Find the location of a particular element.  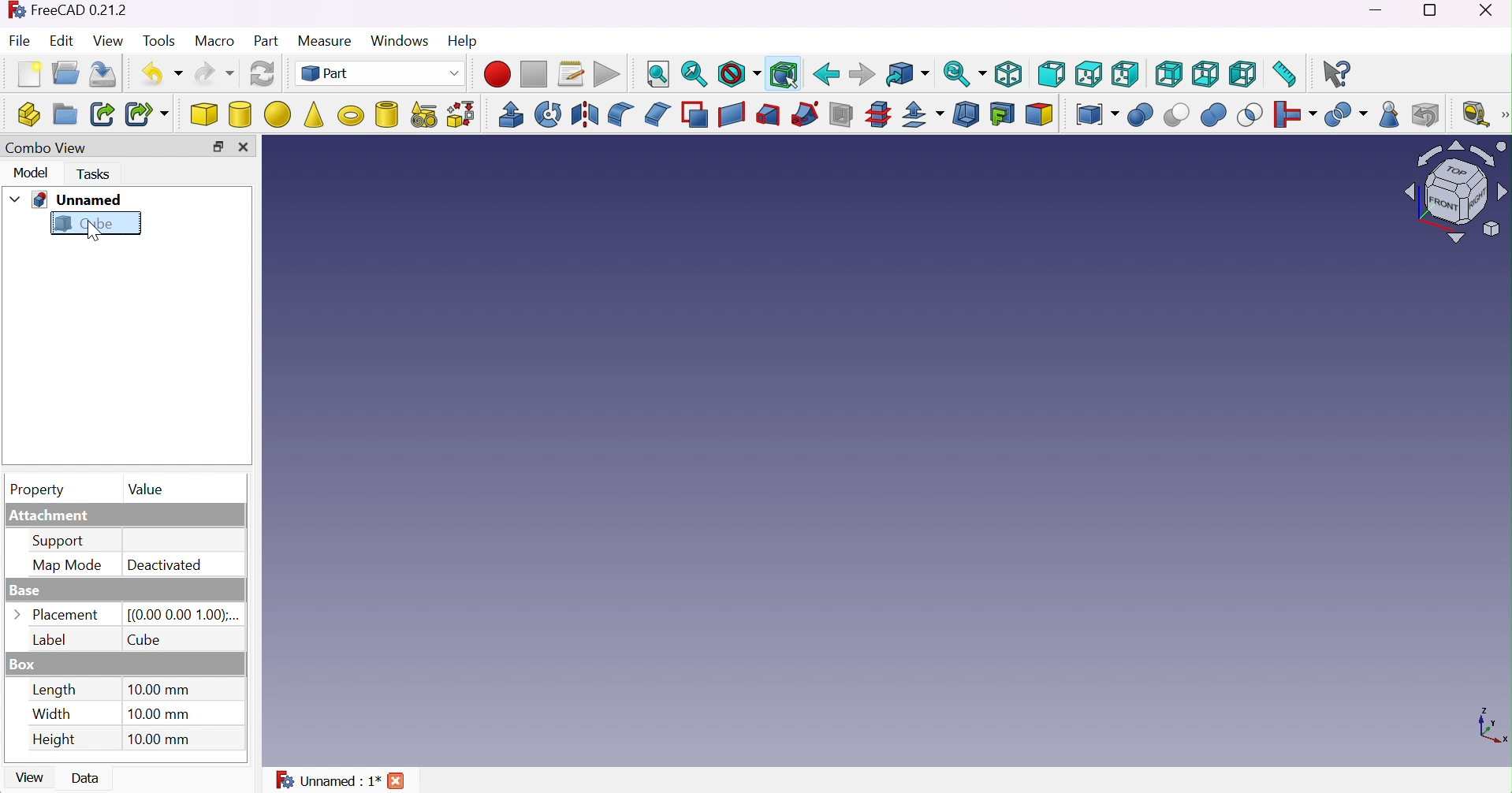

Undo is located at coordinates (158, 73).